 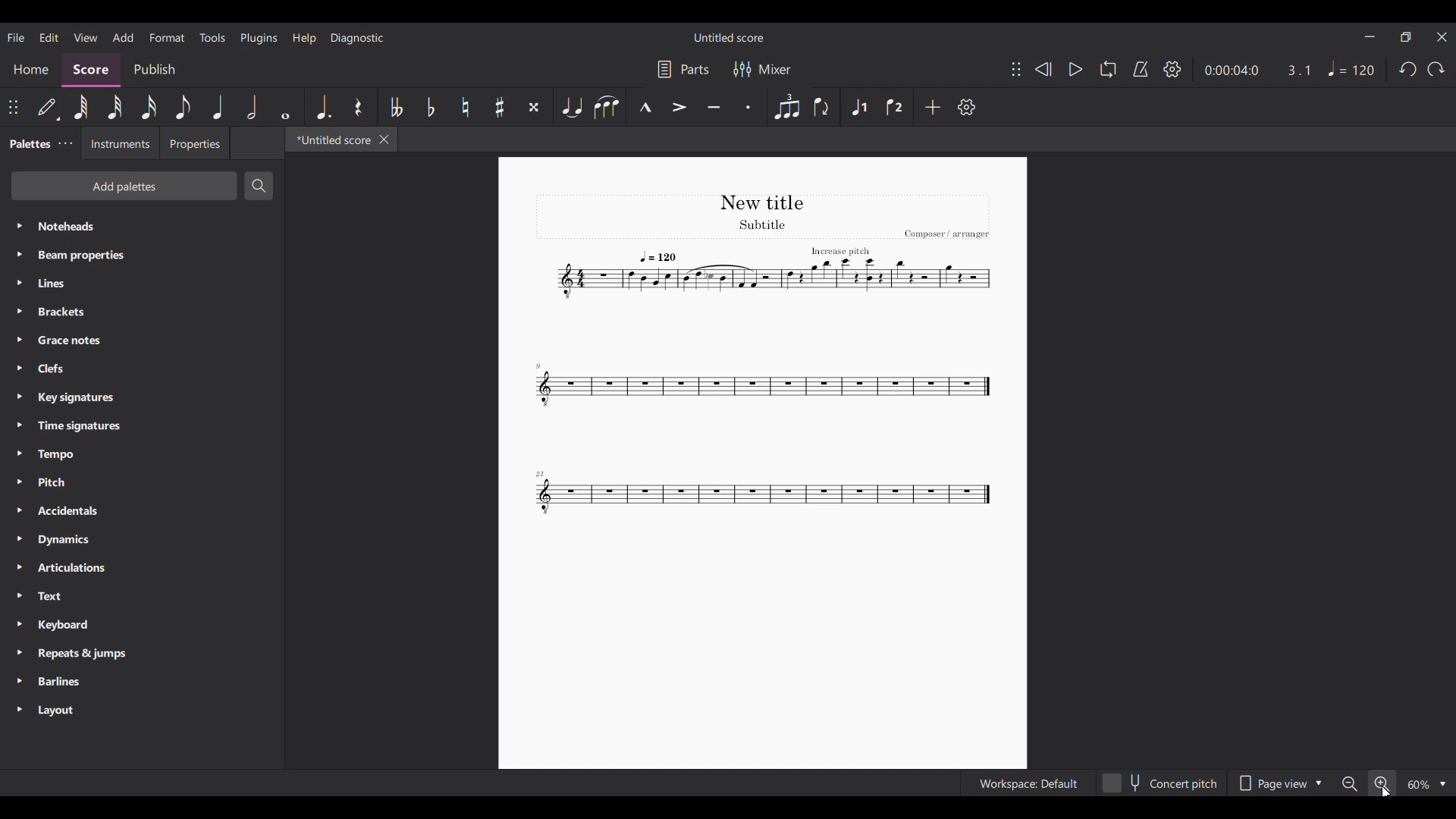 What do you see at coordinates (142, 625) in the screenshot?
I see `Keyboard` at bounding box center [142, 625].